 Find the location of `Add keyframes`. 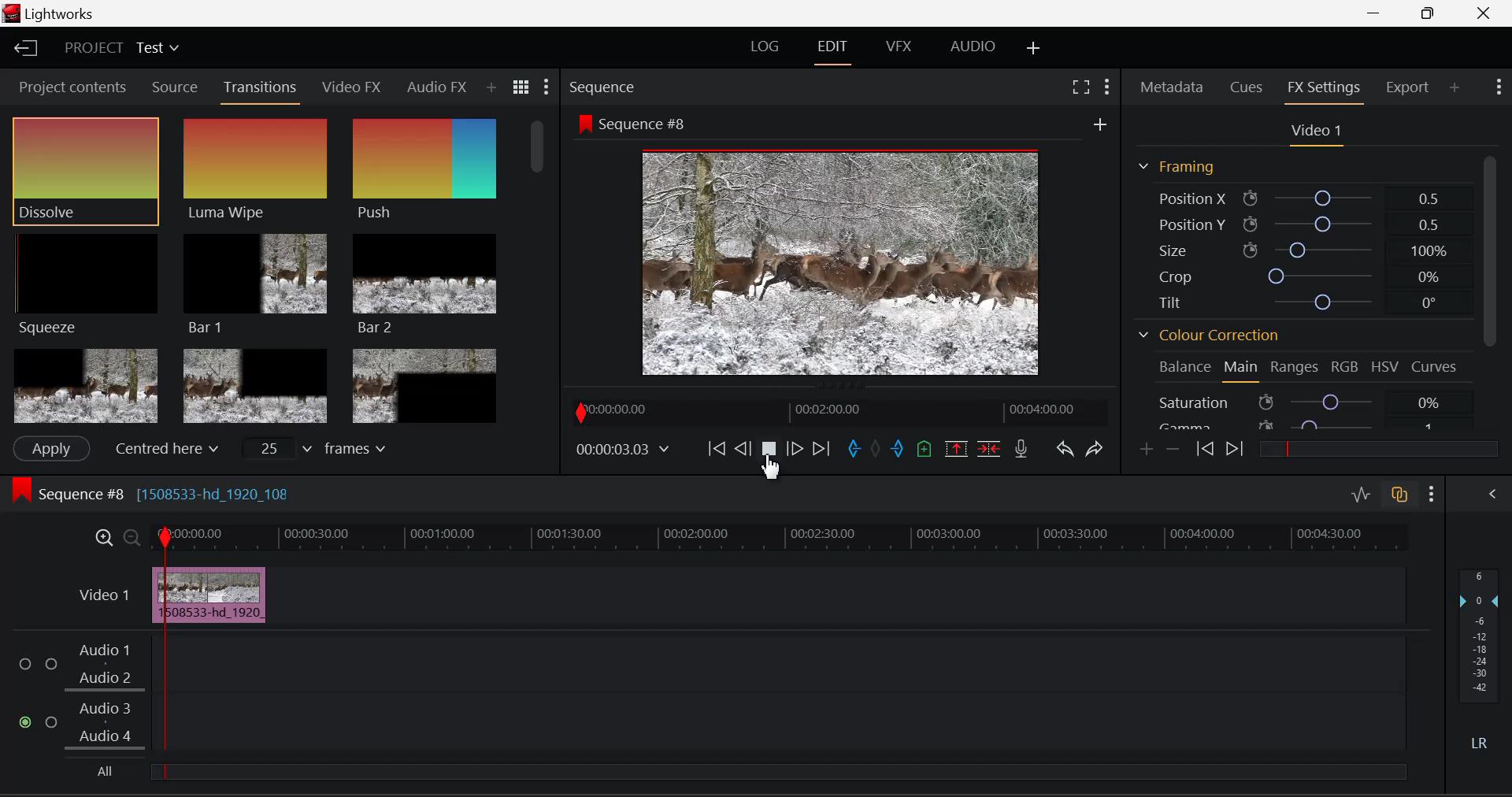

Add keyframes is located at coordinates (1147, 450).